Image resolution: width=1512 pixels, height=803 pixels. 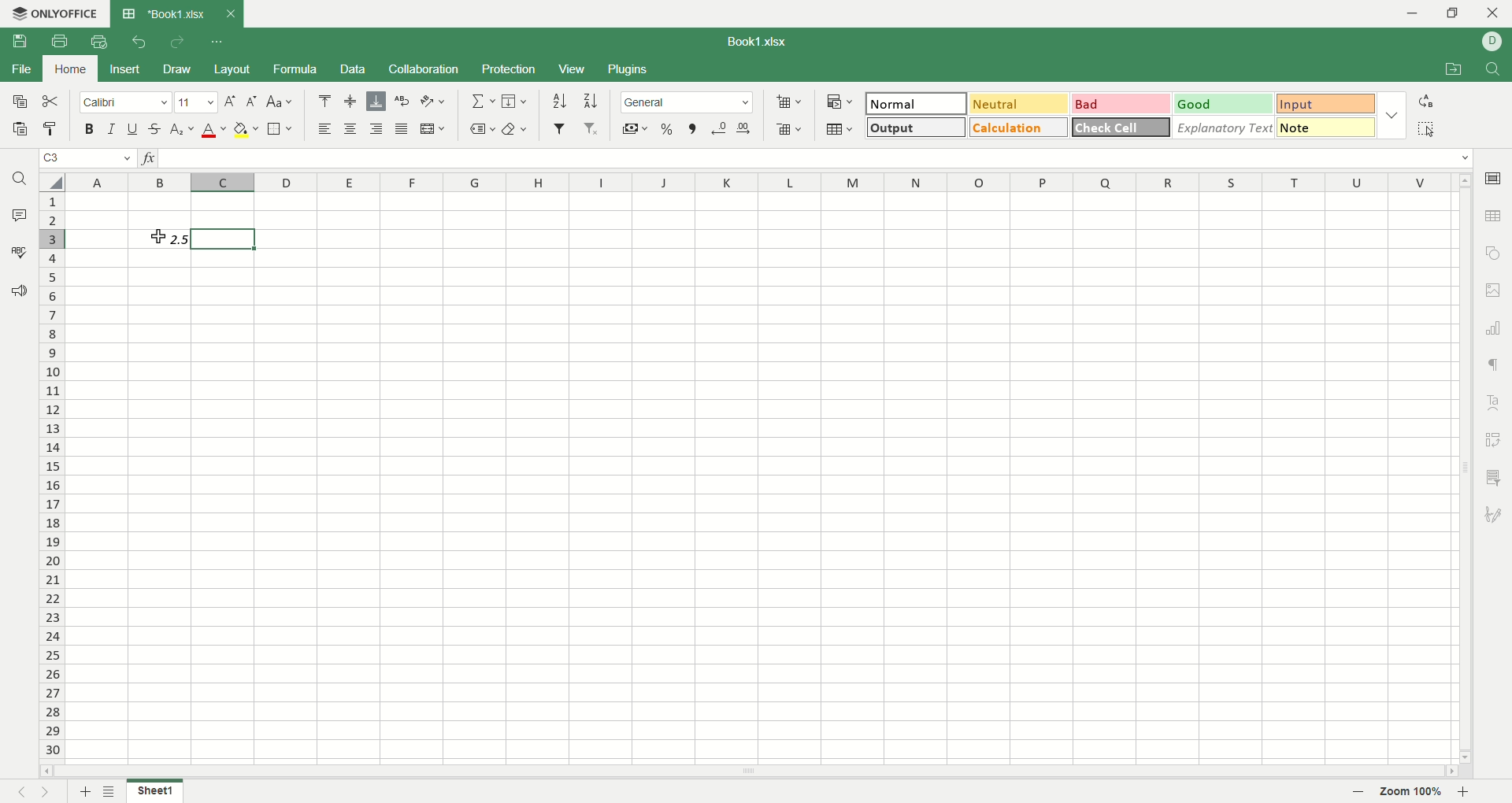 I want to click on username, so click(x=1493, y=42).